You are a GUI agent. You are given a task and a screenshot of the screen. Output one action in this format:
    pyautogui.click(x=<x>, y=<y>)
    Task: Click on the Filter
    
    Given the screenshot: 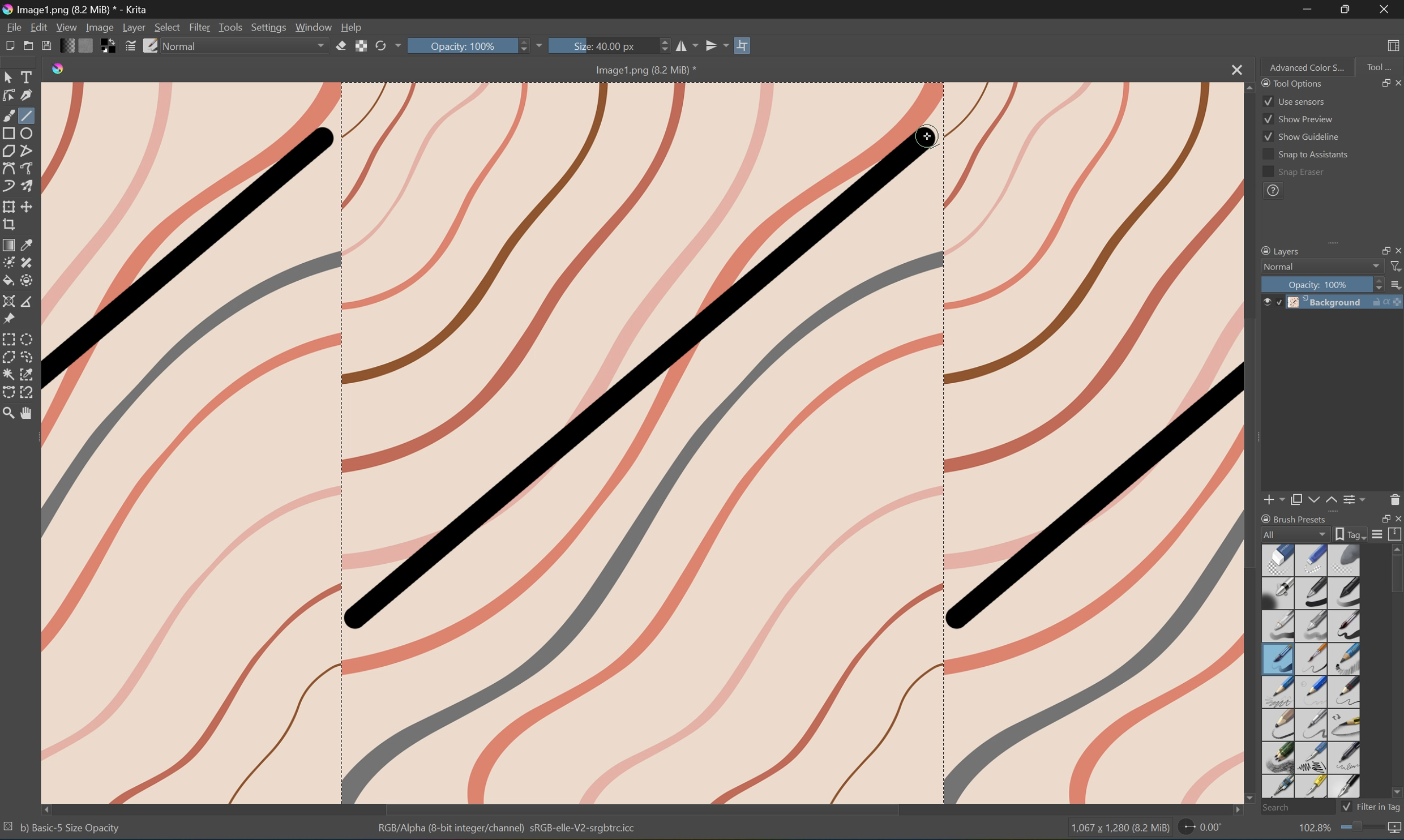 What is the action you would take?
    pyautogui.click(x=200, y=27)
    